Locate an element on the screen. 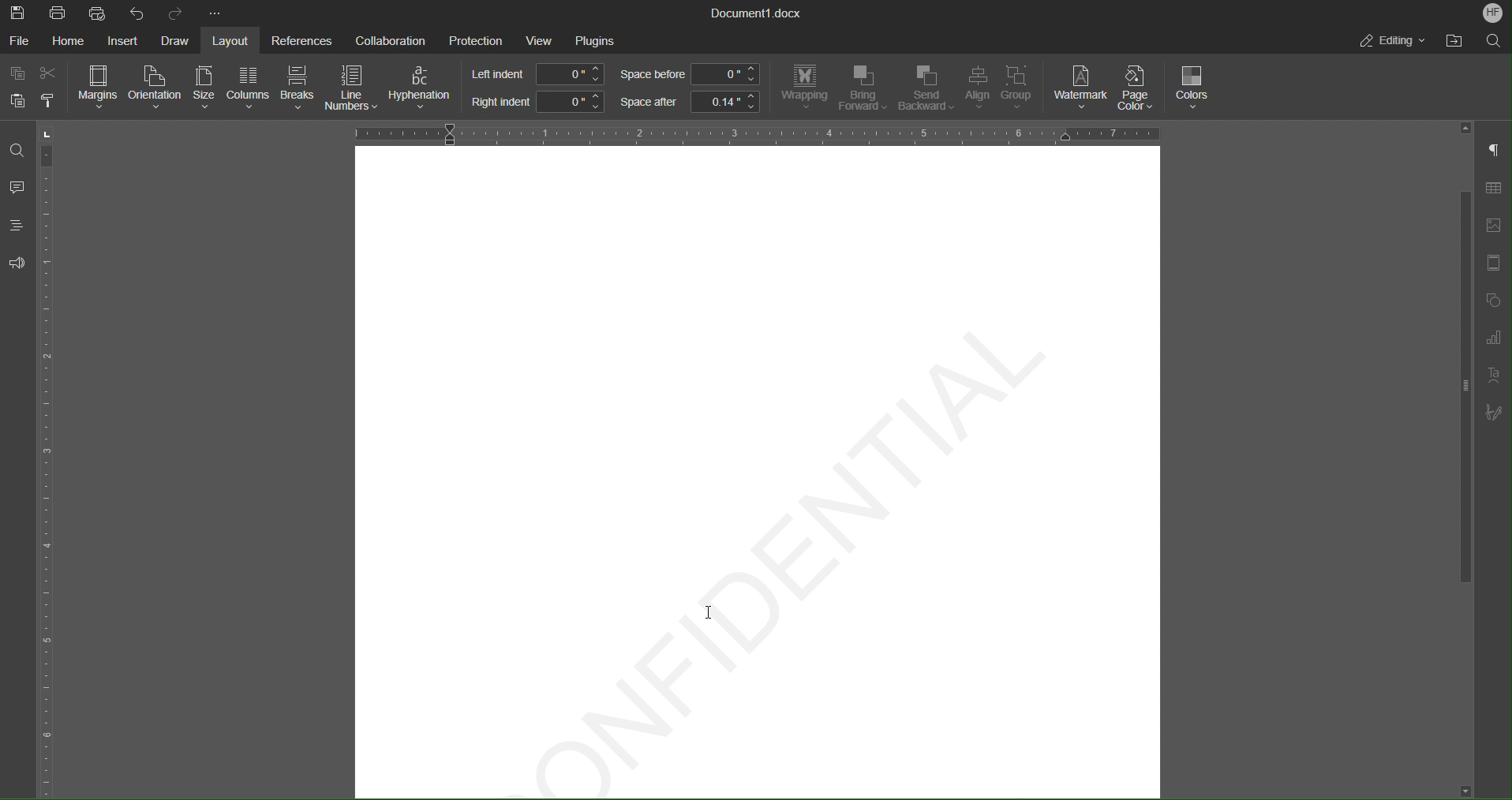 Image resolution: width=1512 pixels, height=800 pixels. Shape Menu is located at coordinates (1491, 302).